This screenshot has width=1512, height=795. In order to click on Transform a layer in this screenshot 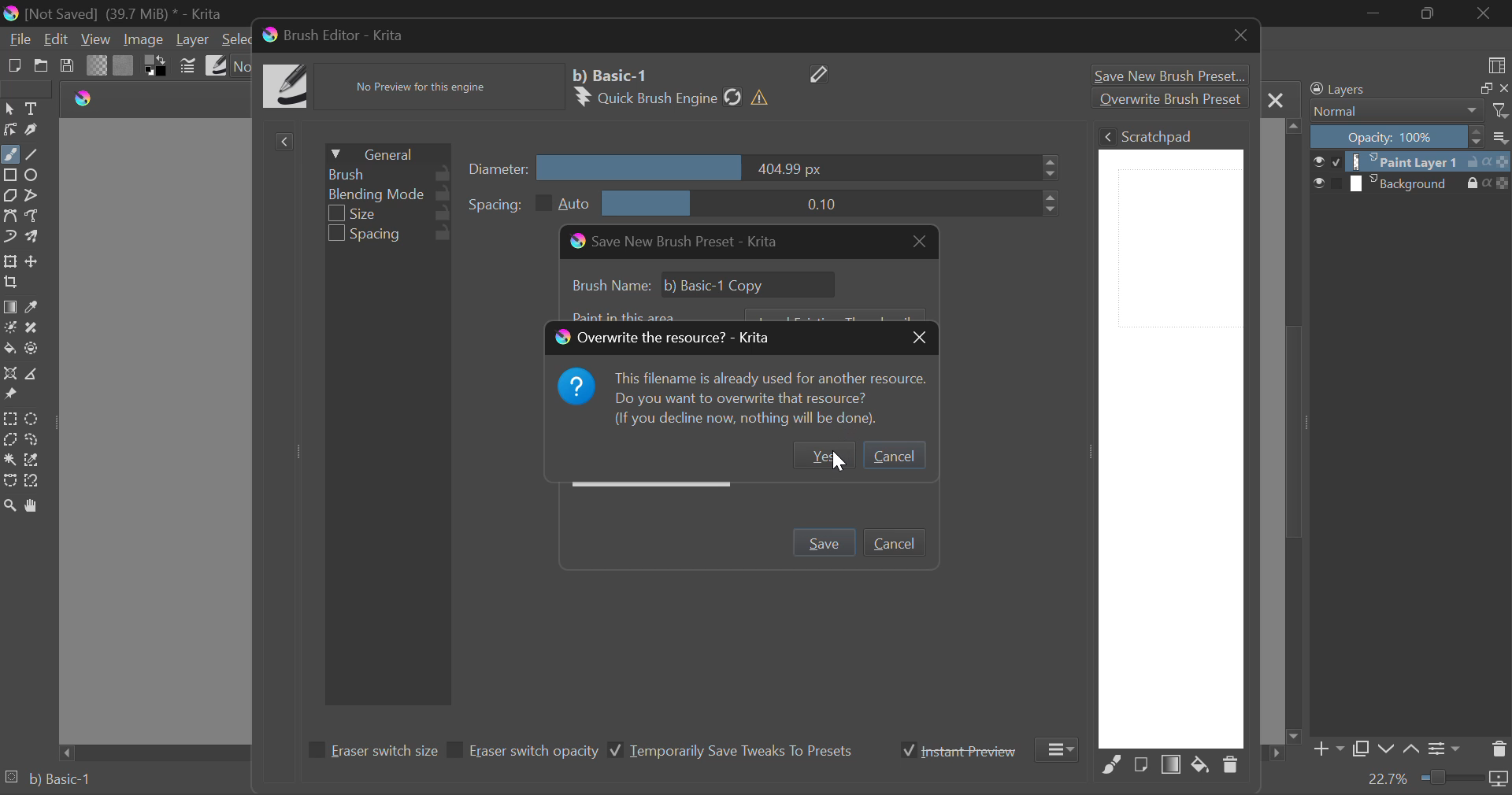, I will do `click(9, 261)`.